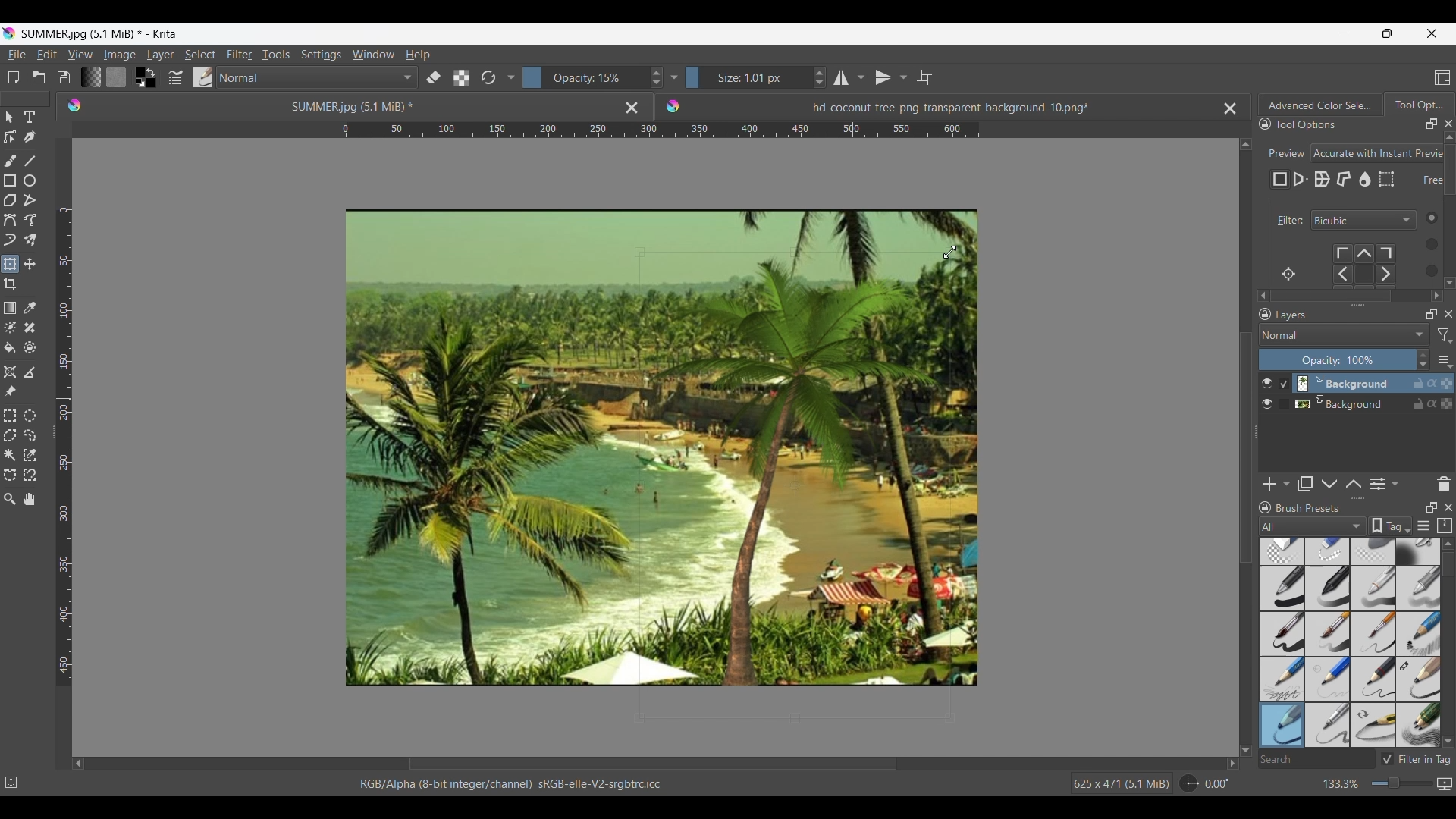  Describe the element at coordinates (1445, 483) in the screenshot. I see `Delete layer/mask` at that location.